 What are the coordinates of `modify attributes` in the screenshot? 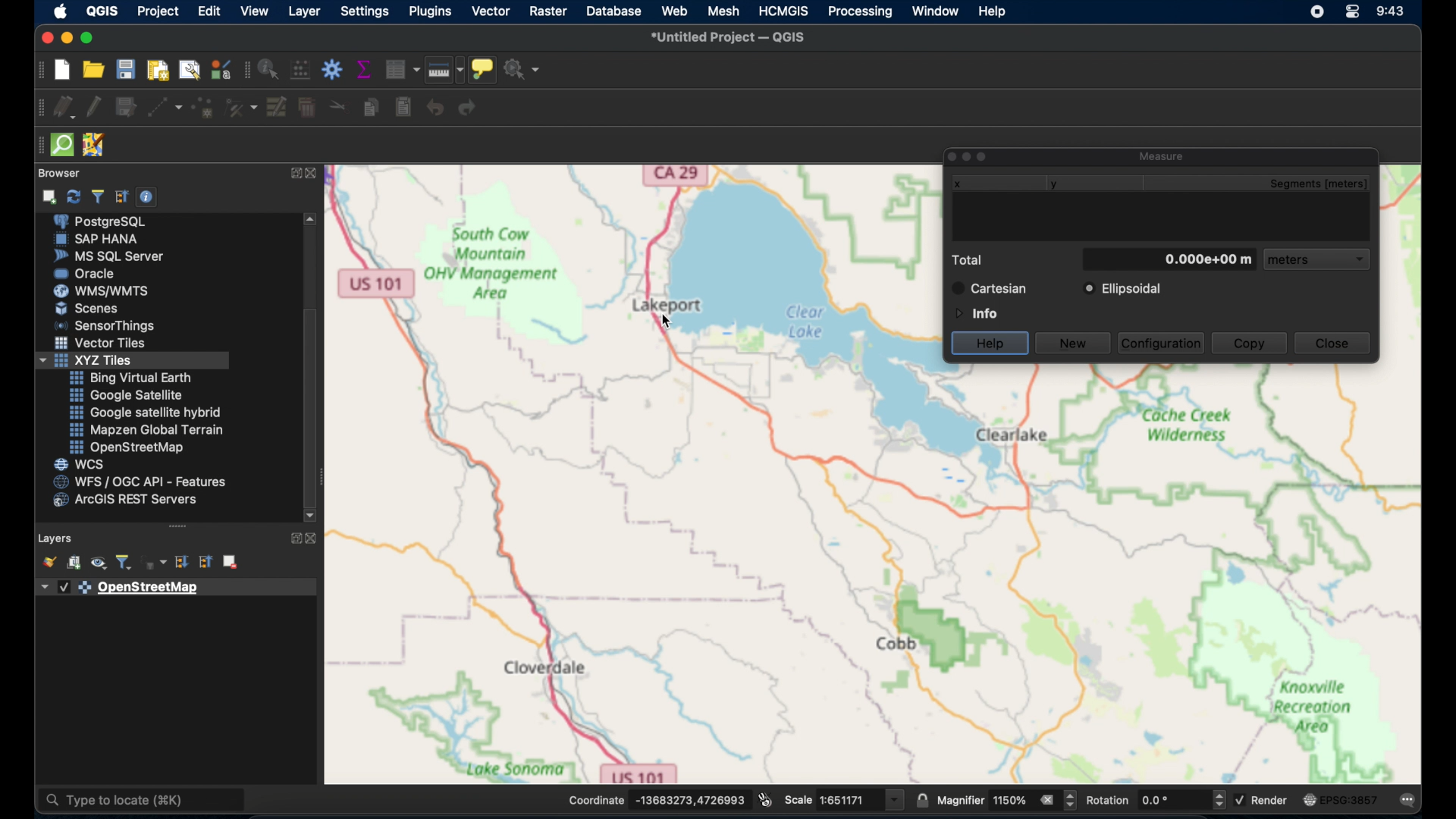 It's located at (277, 108).